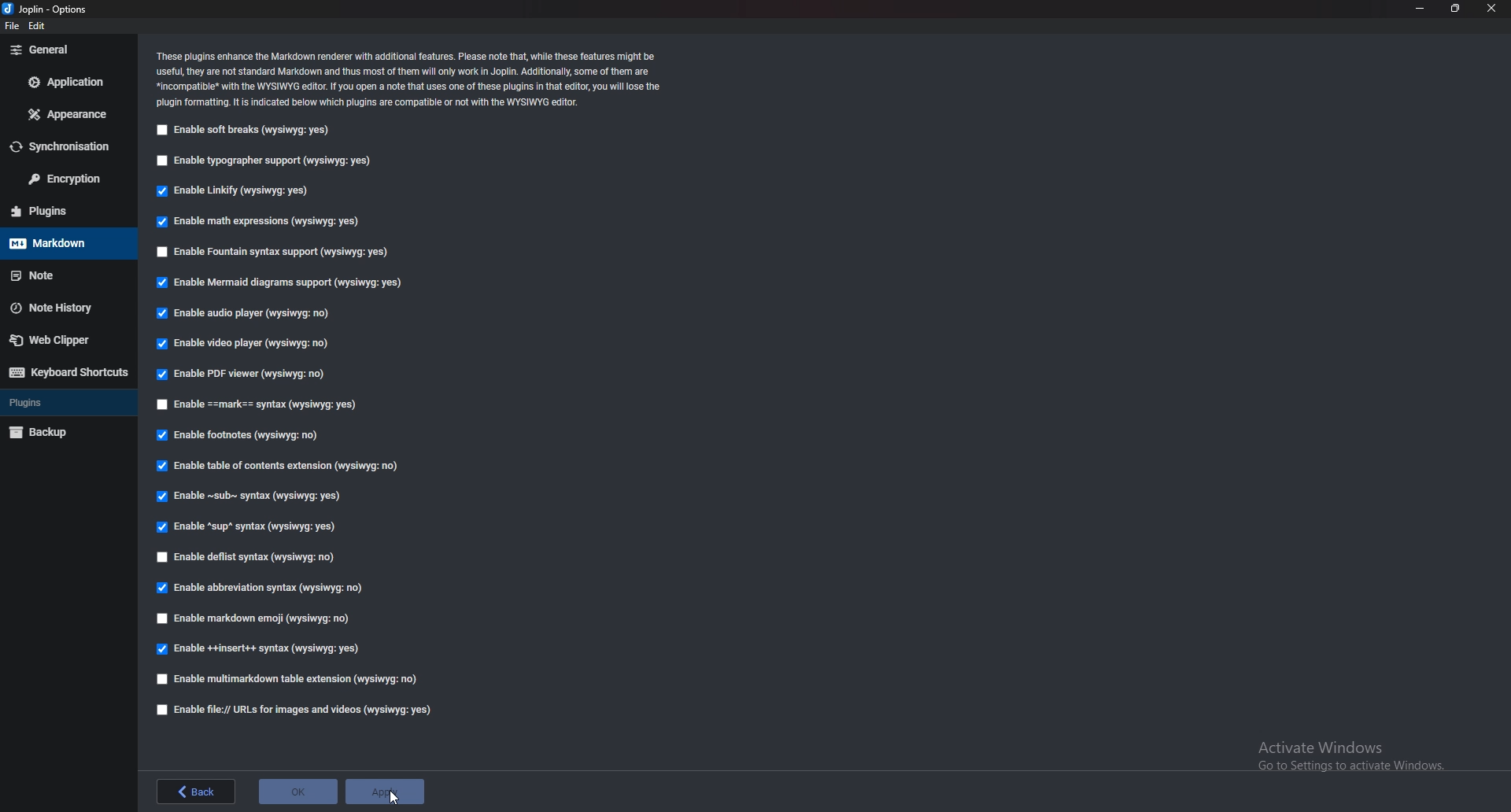 The width and height of the screenshot is (1511, 812). What do you see at coordinates (1491, 9) in the screenshot?
I see `close` at bounding box center [1491, 9].